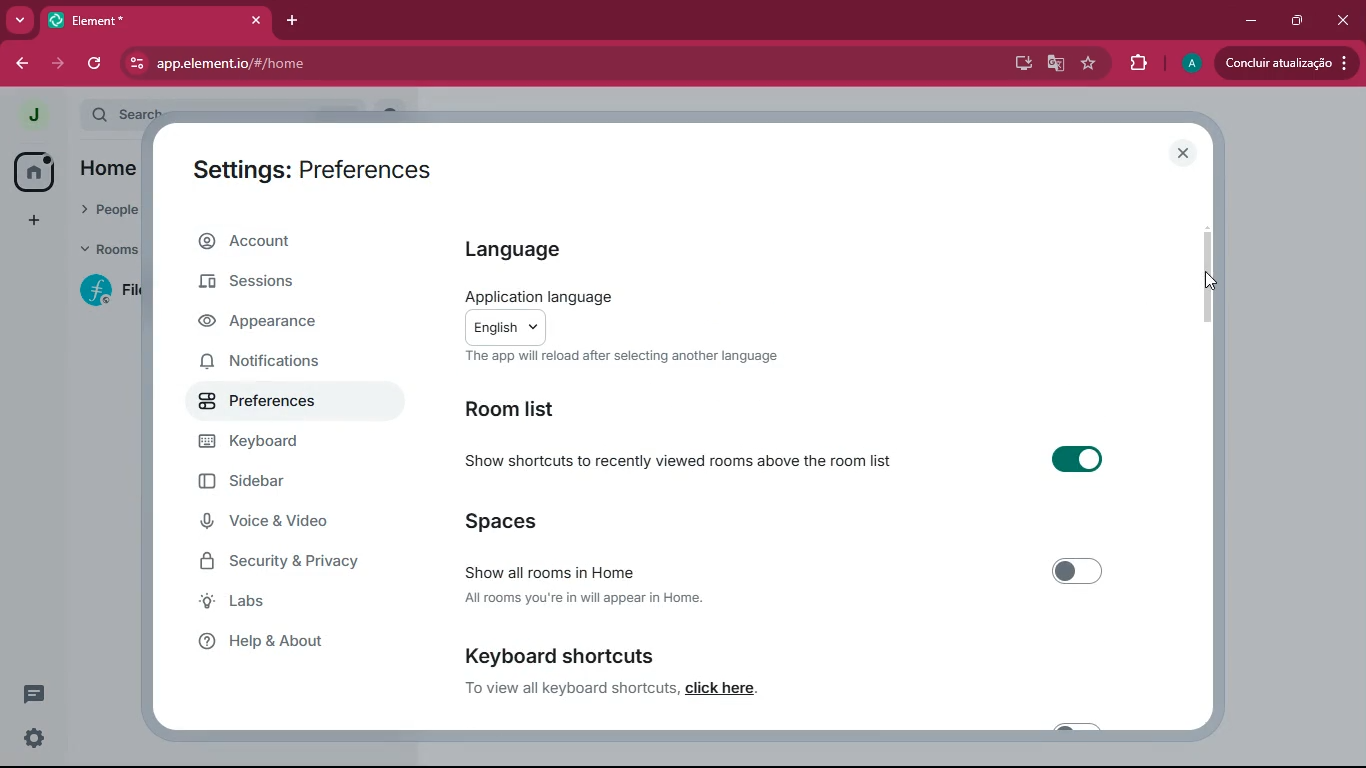 Image resolution: width=1366 pixels, height=768 pixels. What do you see at coordinates (554, 569) in the screenshot?
I see `show rooms` at bounding box center [554, 569].